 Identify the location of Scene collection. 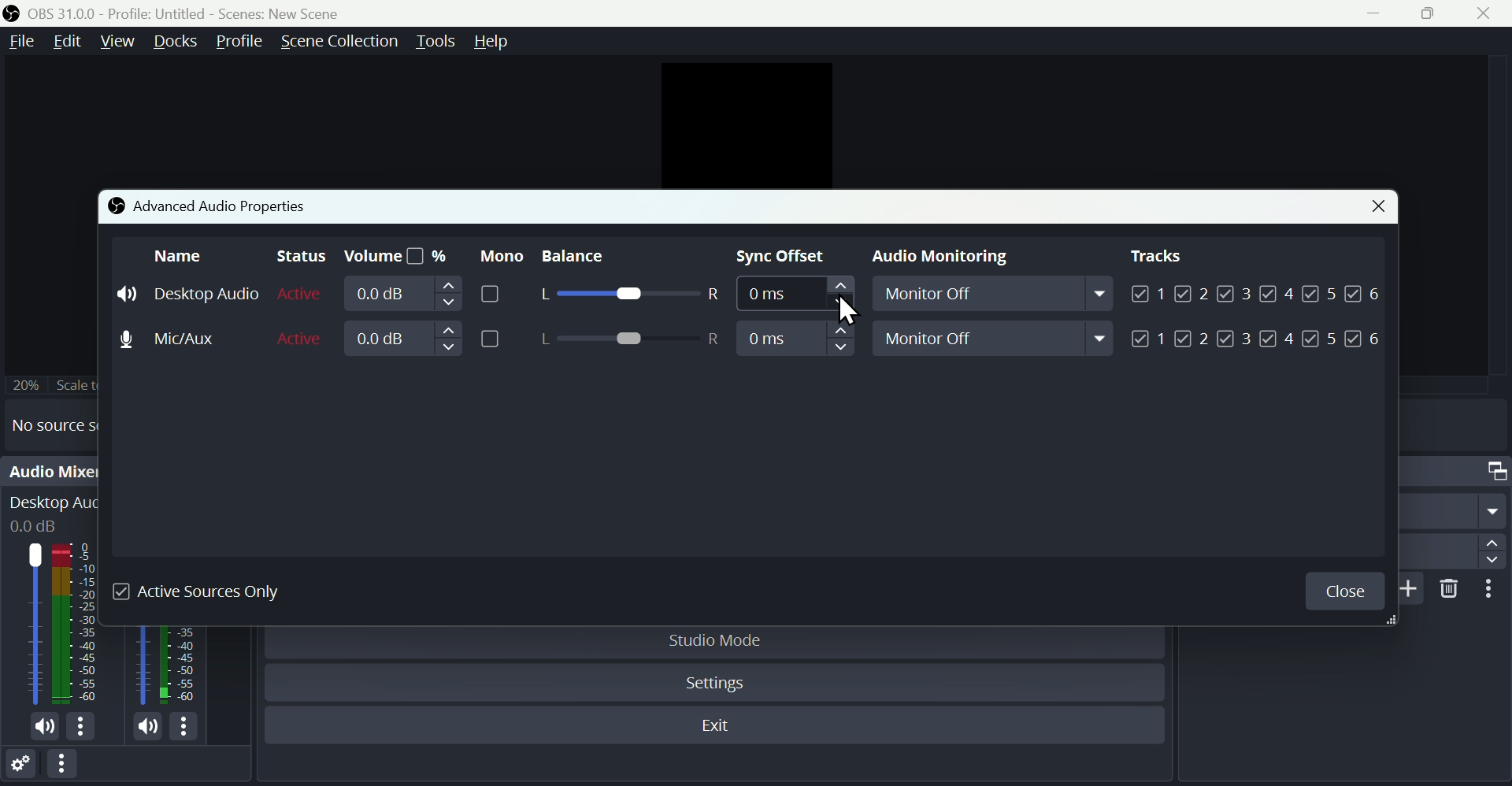
(338, 41).